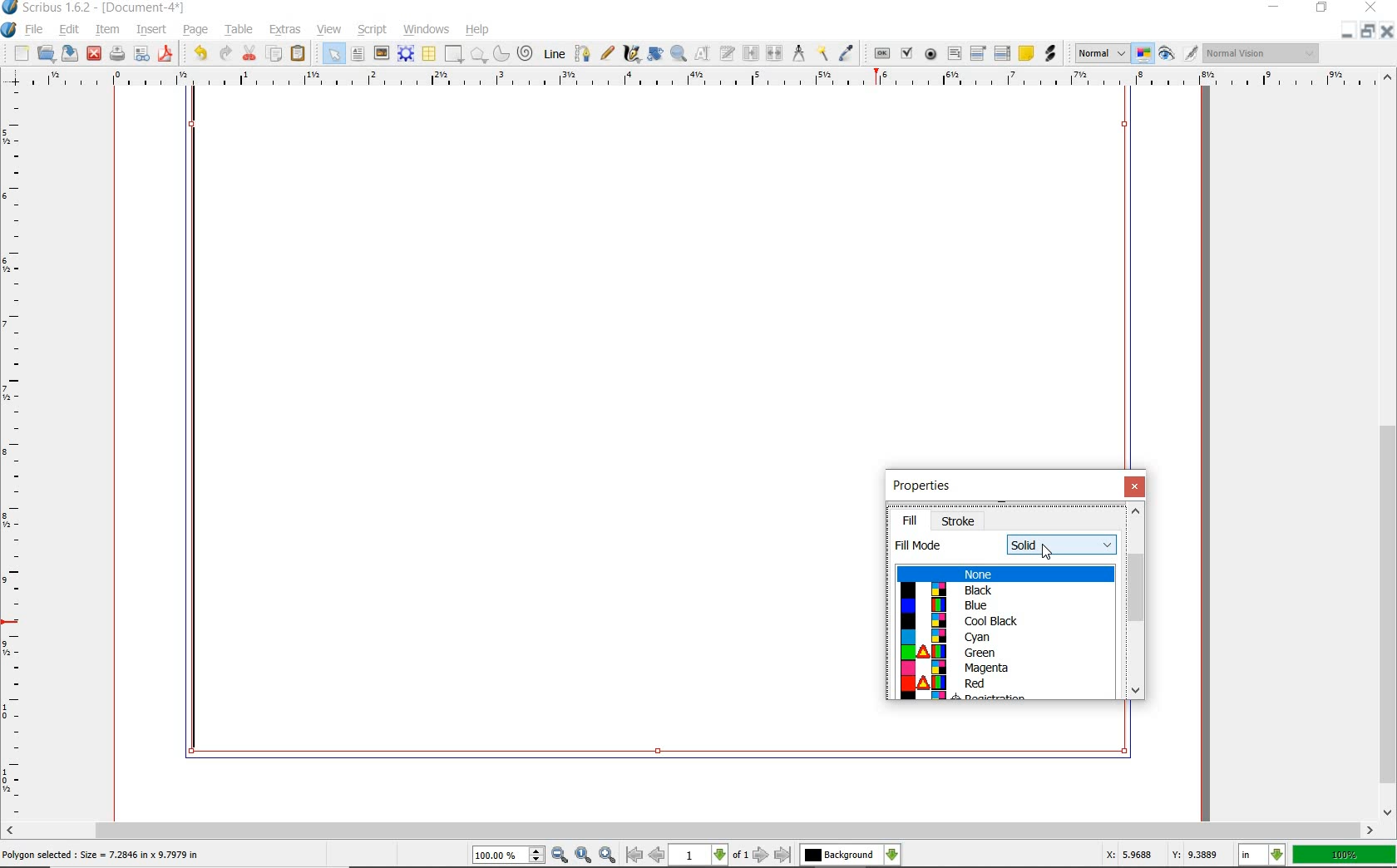 This screenshot has width=1397, height=868. What do you see at coordinates (1321, 9) in the screenshot?
I see `restore` at bounding box center [1321, 9].